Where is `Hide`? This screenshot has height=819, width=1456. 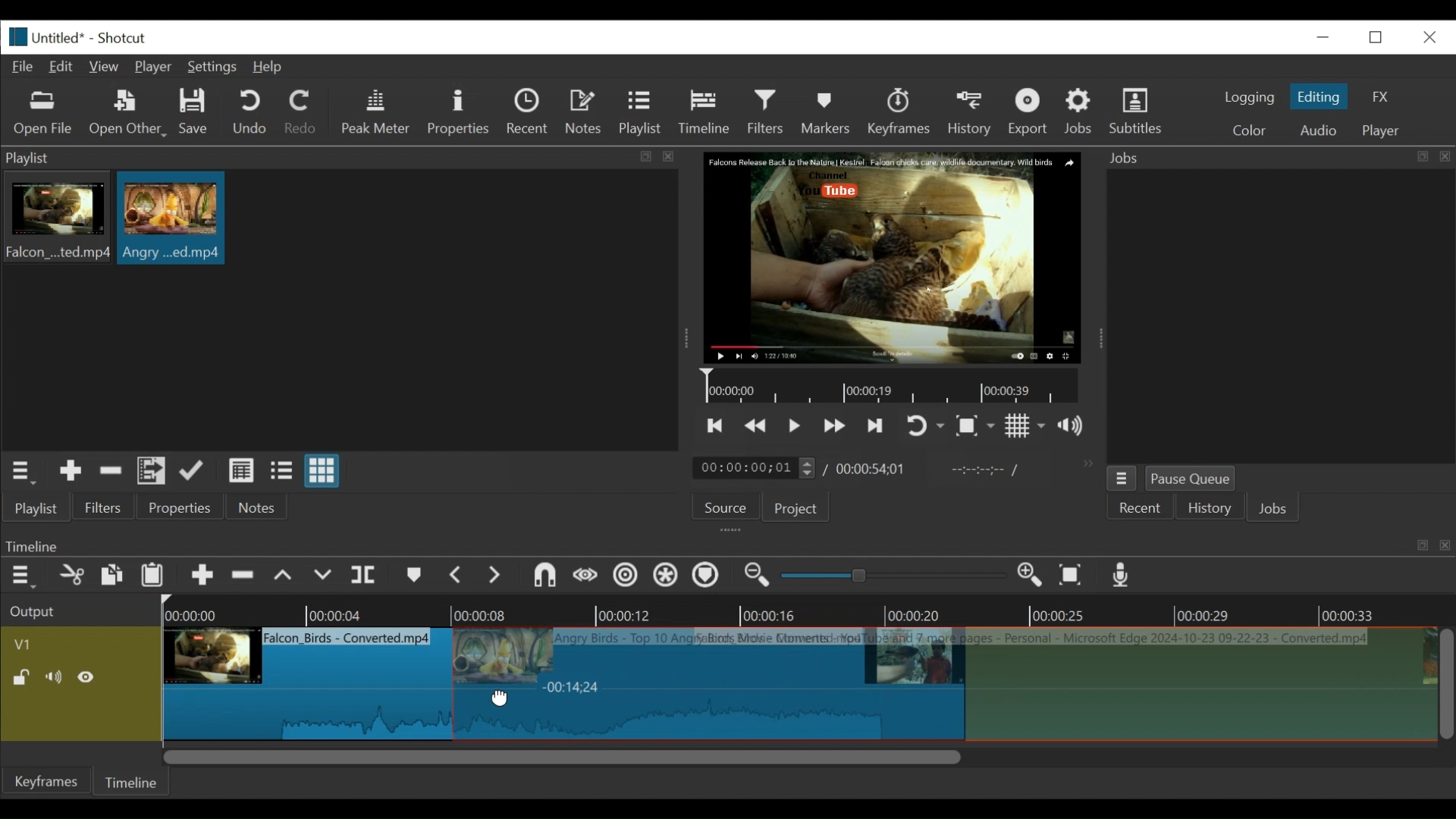
Hide is located at coordinates (90, 677).